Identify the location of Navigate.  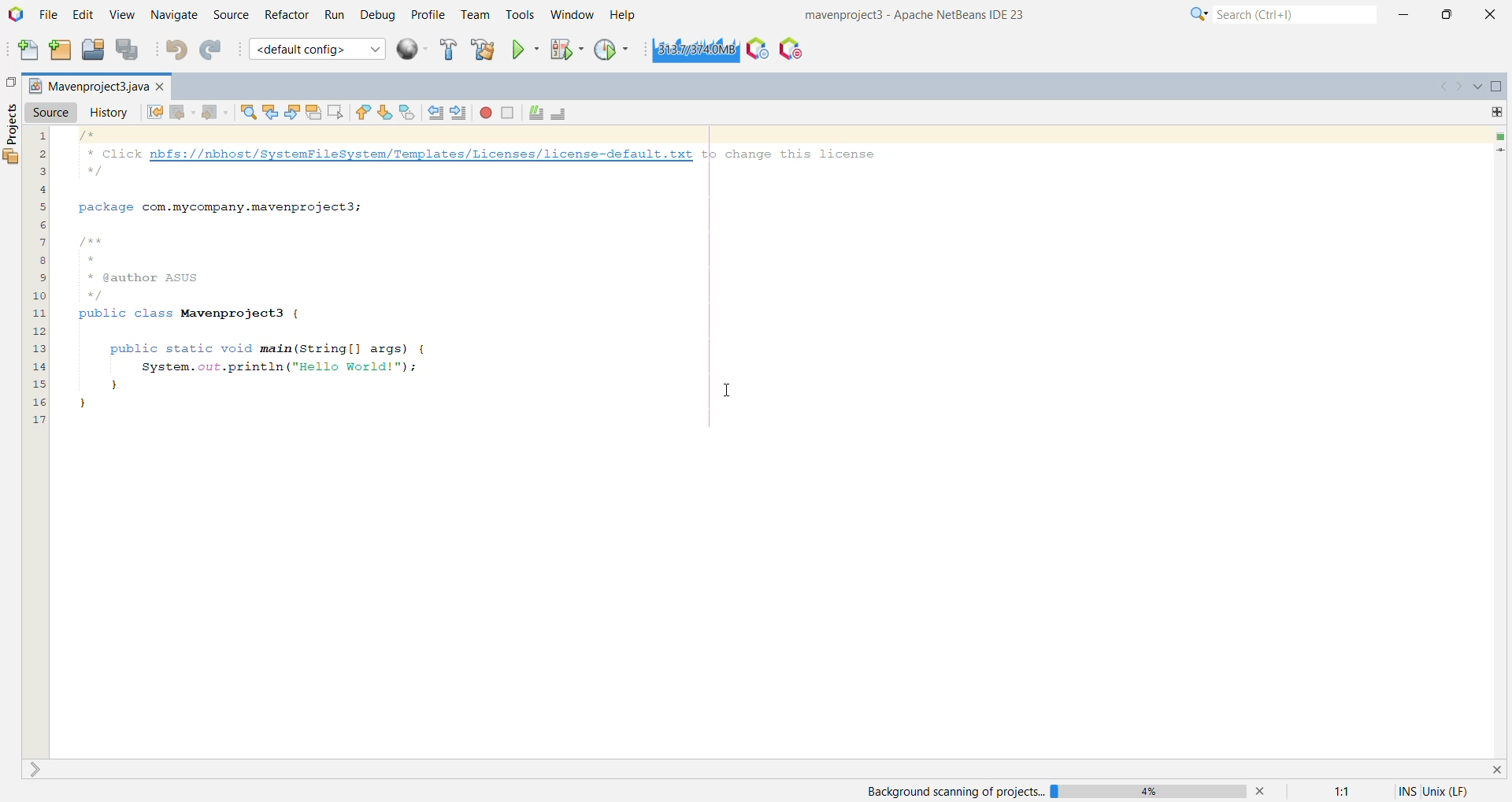
(174, 16).